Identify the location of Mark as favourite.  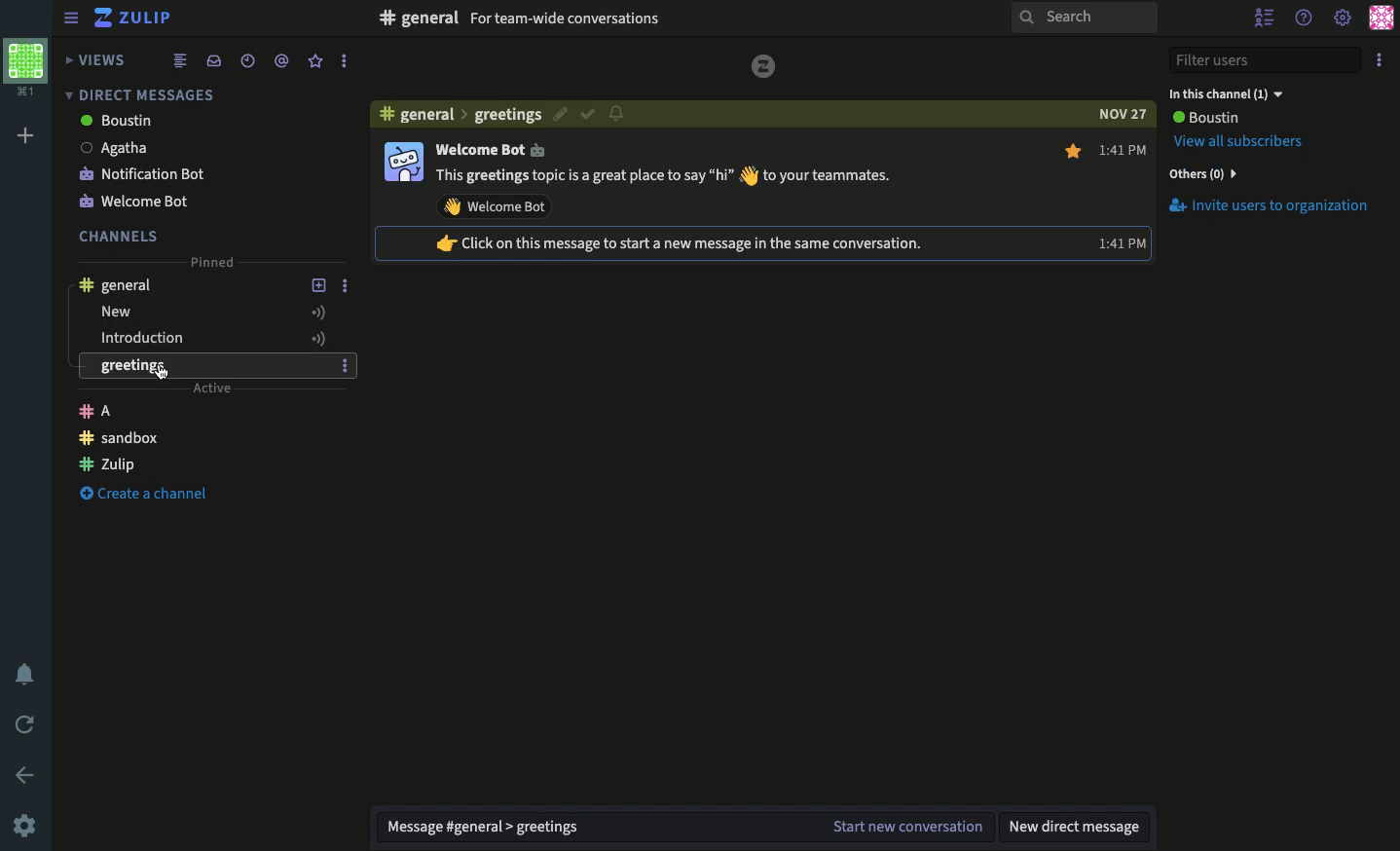
(1071, 152).